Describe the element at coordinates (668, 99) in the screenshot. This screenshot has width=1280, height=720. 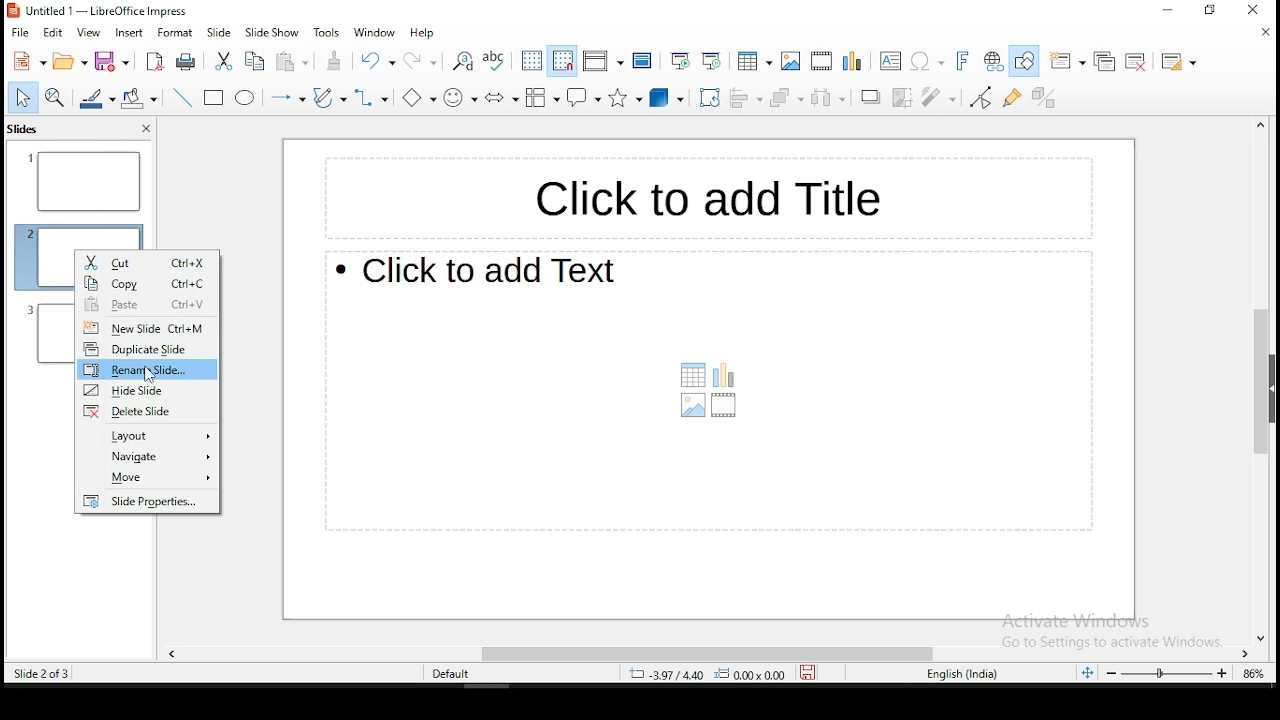
I see `3D shapes` at that location.